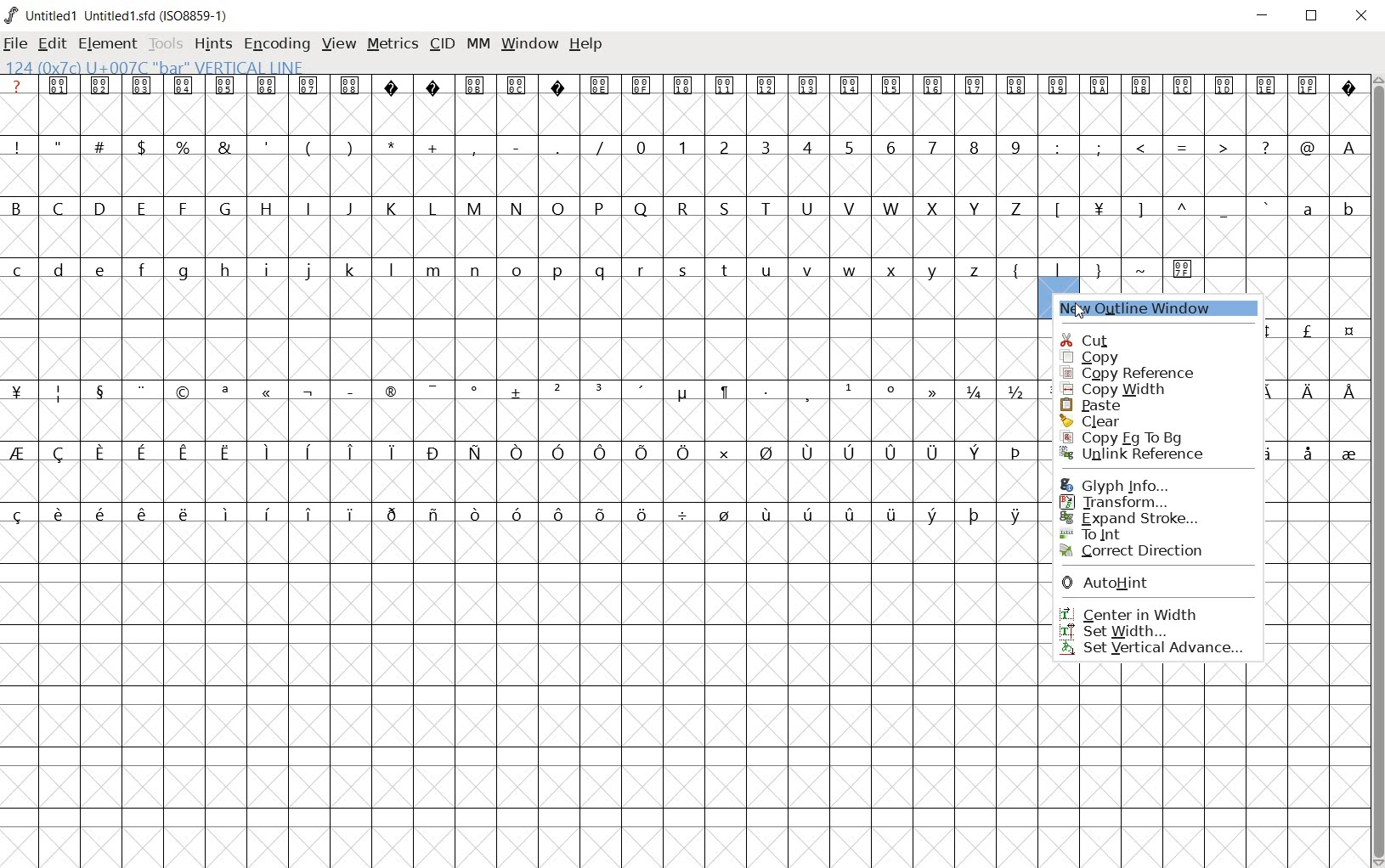 Image resolution: width=1385 pixels, height=868 pixels. I want to click on Unlink Reference, so click(1150, 458).